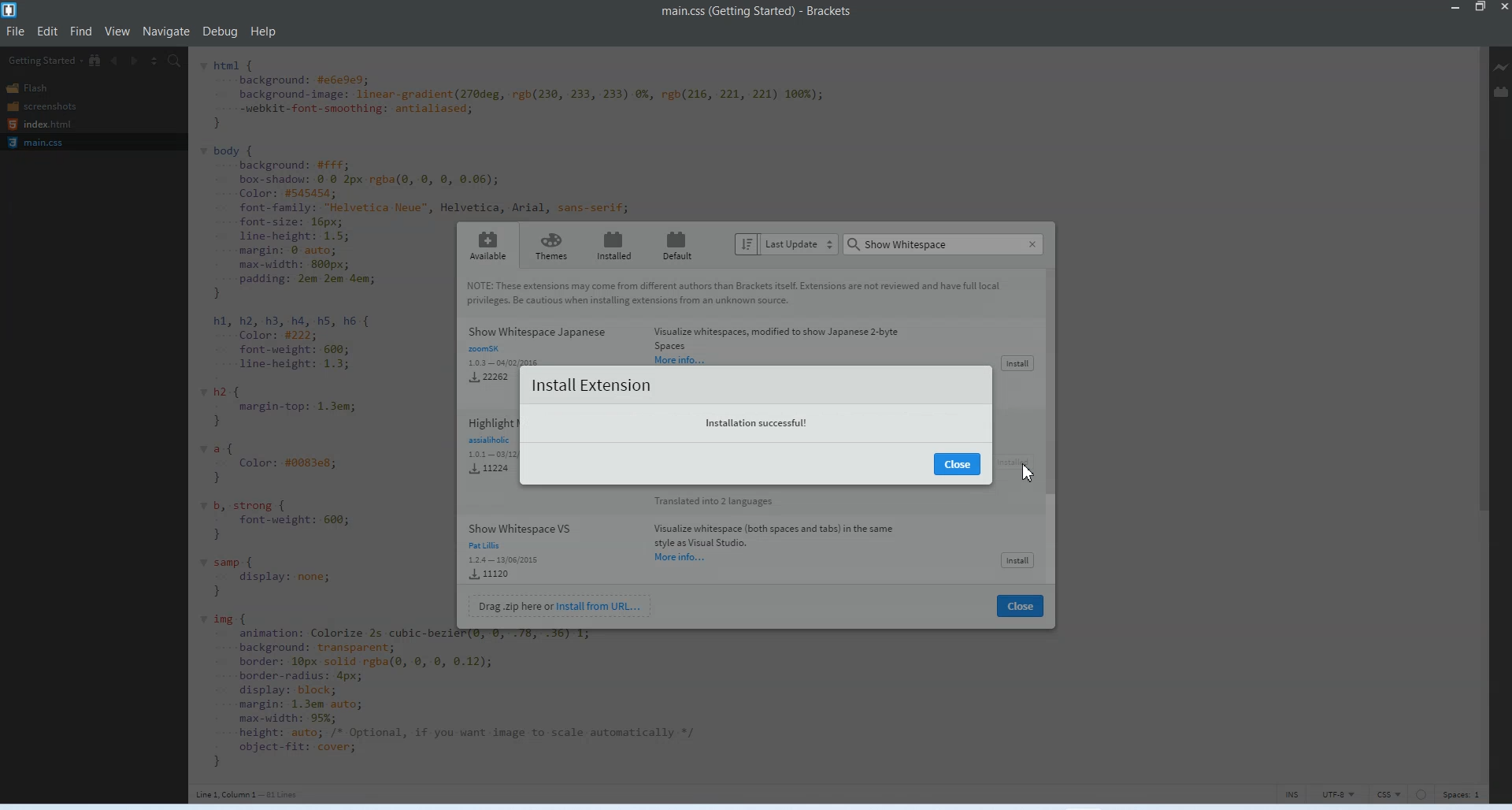  Describe the element at coordinates (958, 463) in the screenshot. I see `Close` at that location.